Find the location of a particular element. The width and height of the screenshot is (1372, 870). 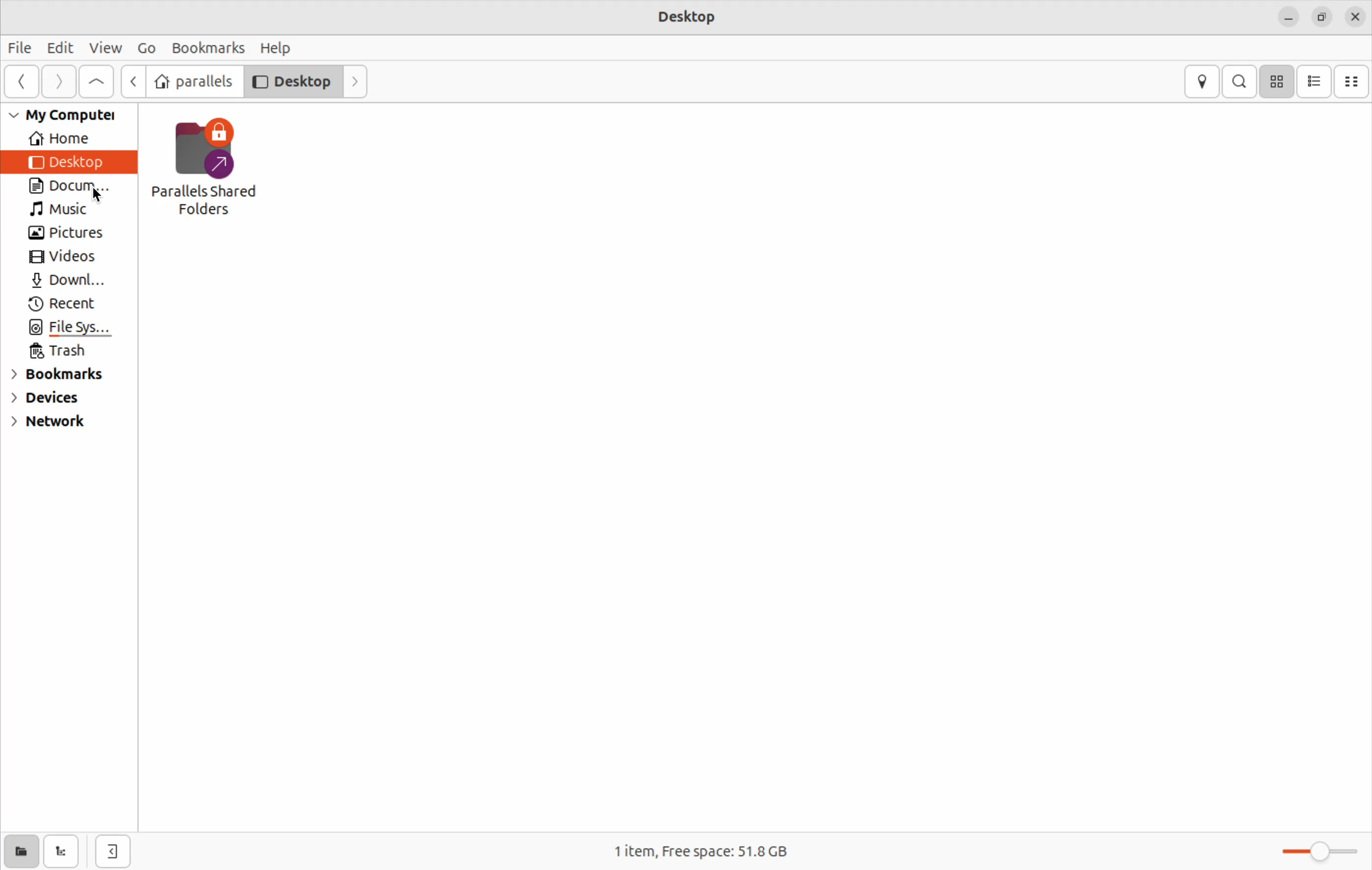

Goto first is located at coordinates (96, 80).